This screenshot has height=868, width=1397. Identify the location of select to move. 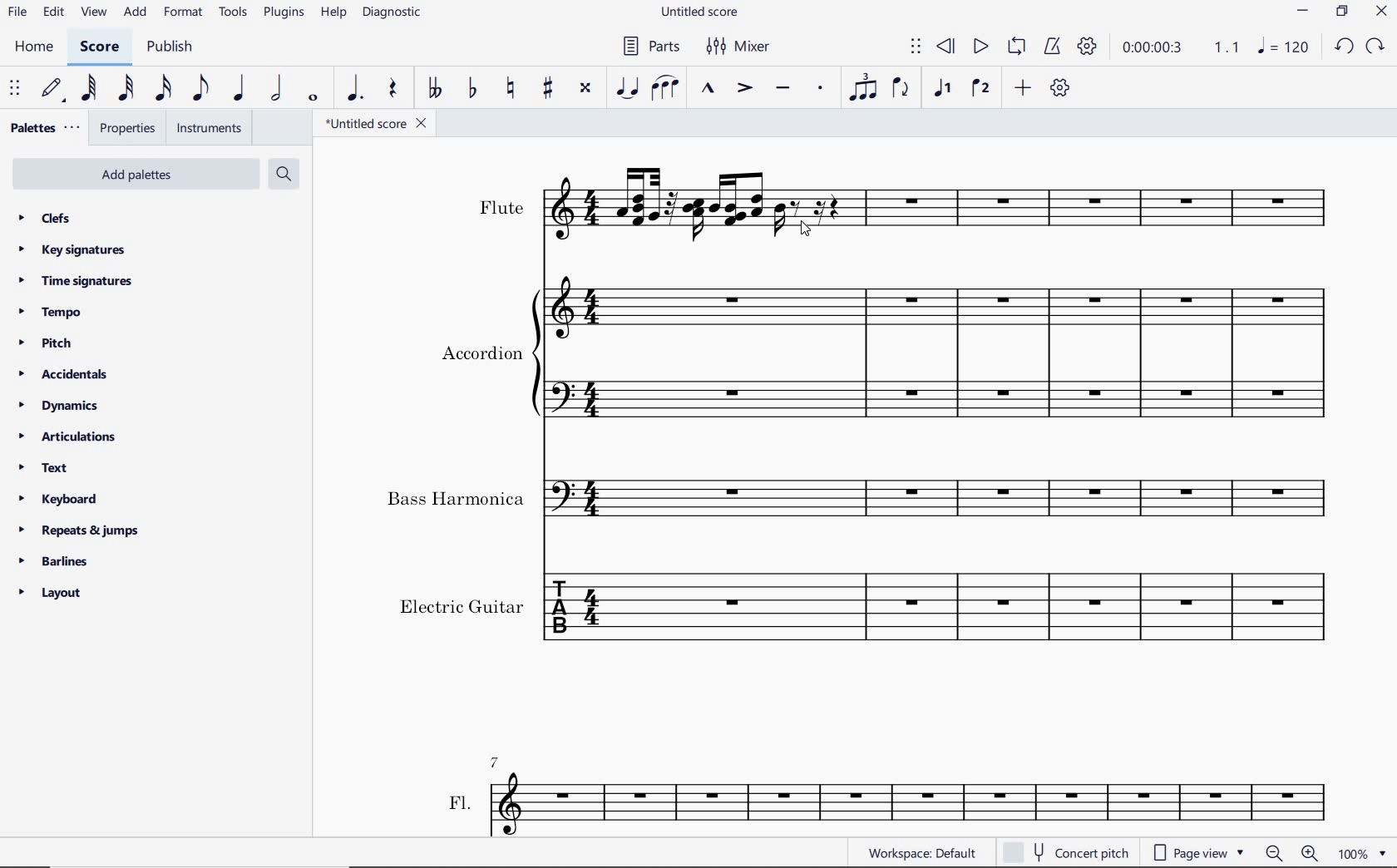
(15, 89).